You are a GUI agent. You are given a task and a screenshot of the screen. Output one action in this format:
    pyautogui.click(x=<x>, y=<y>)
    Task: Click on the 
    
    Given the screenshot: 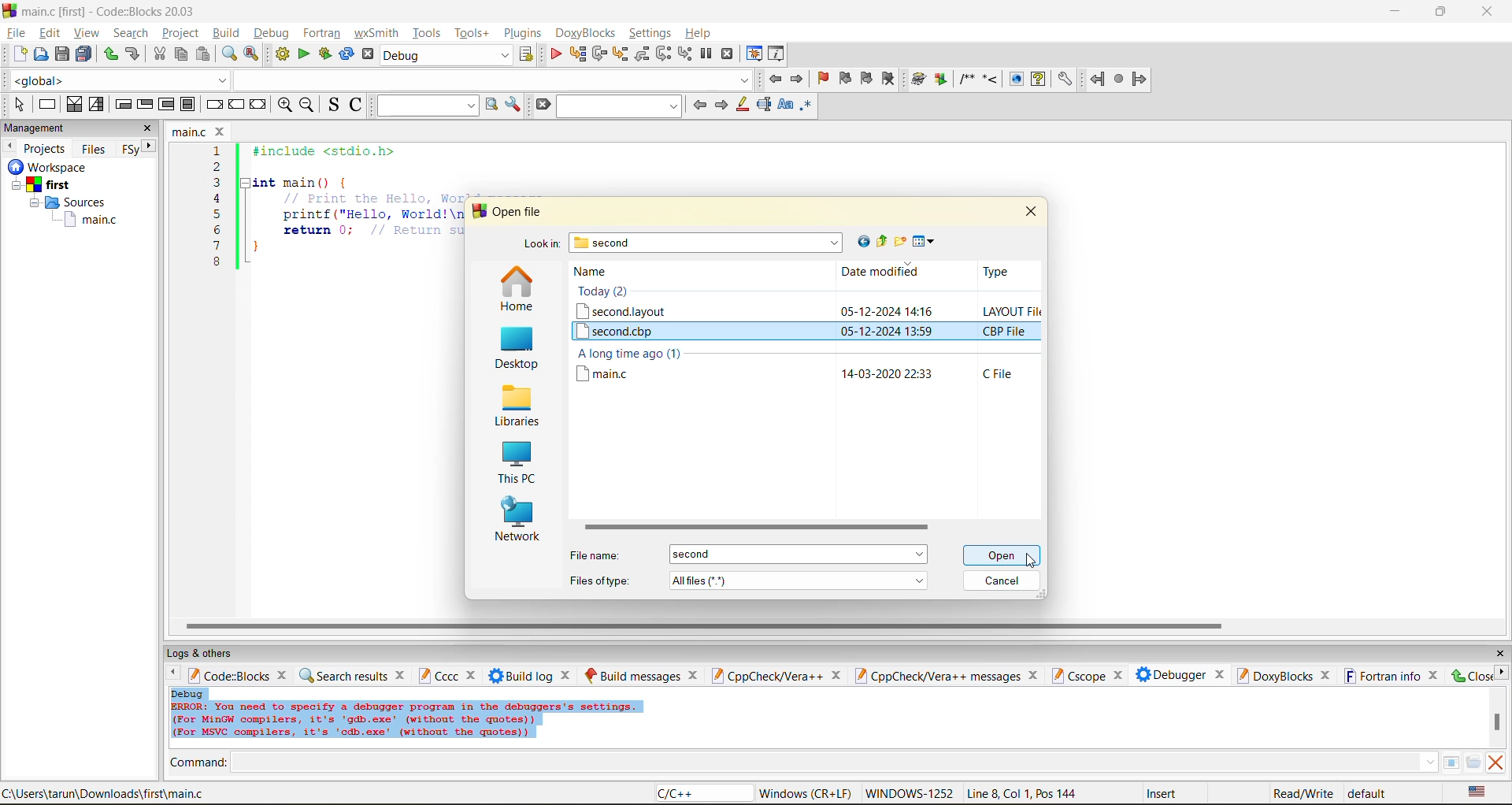 What is the action you would take?
    pyautogui.click(x=44, y=167)
    